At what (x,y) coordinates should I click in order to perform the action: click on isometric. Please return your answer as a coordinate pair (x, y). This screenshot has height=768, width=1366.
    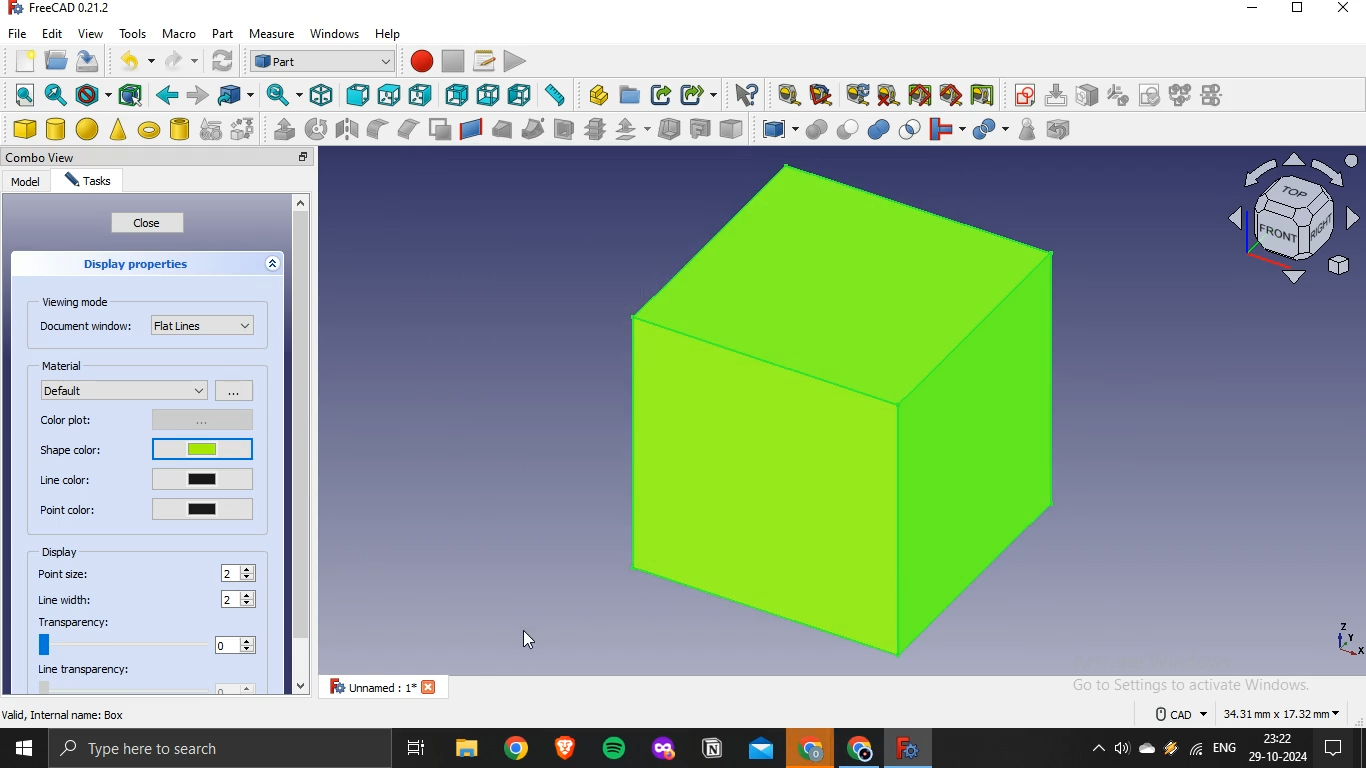
    Looking at the image, I should click on (321, 94).